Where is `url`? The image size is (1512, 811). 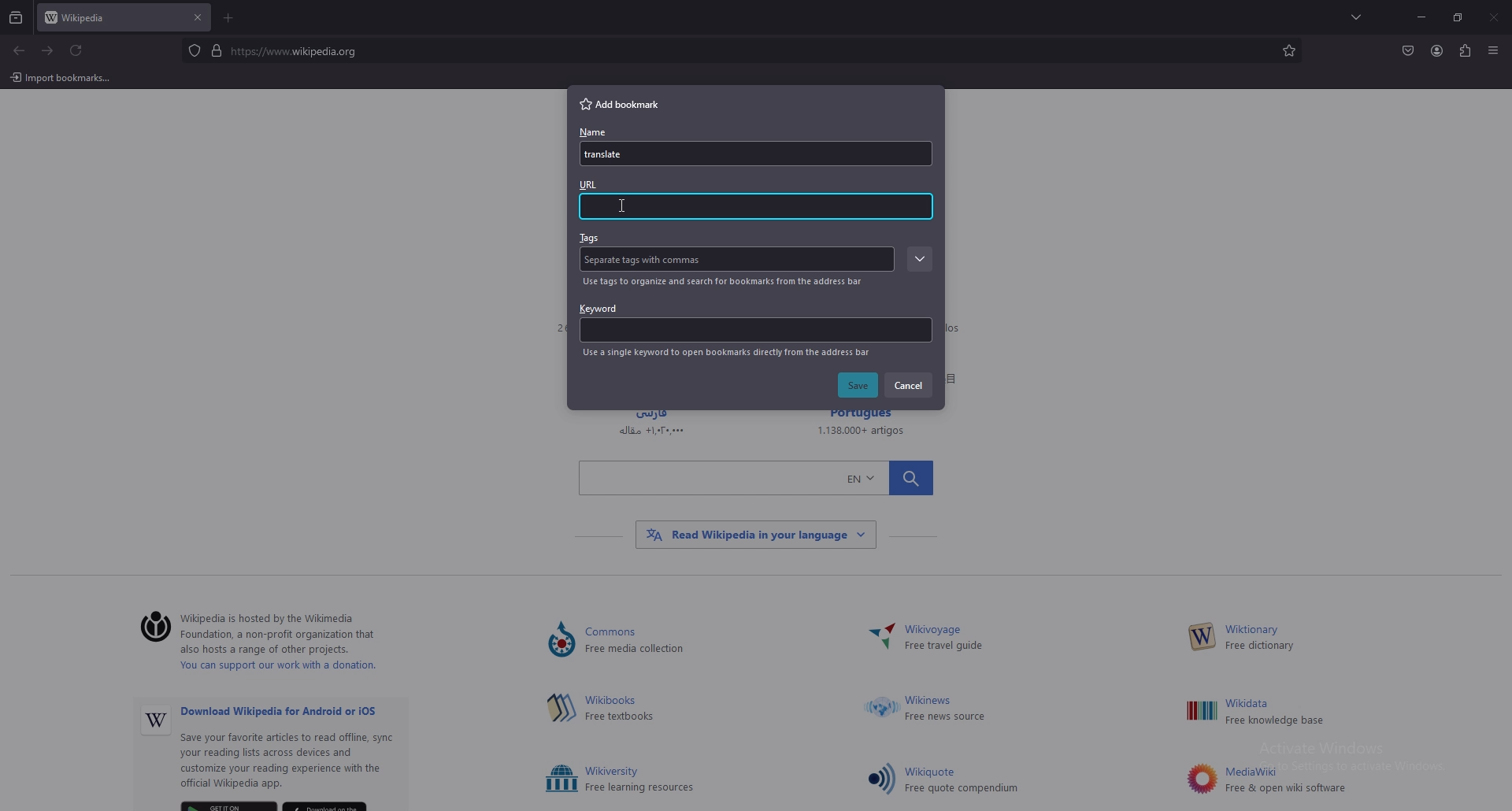
url is located at coordinates (752, 198).